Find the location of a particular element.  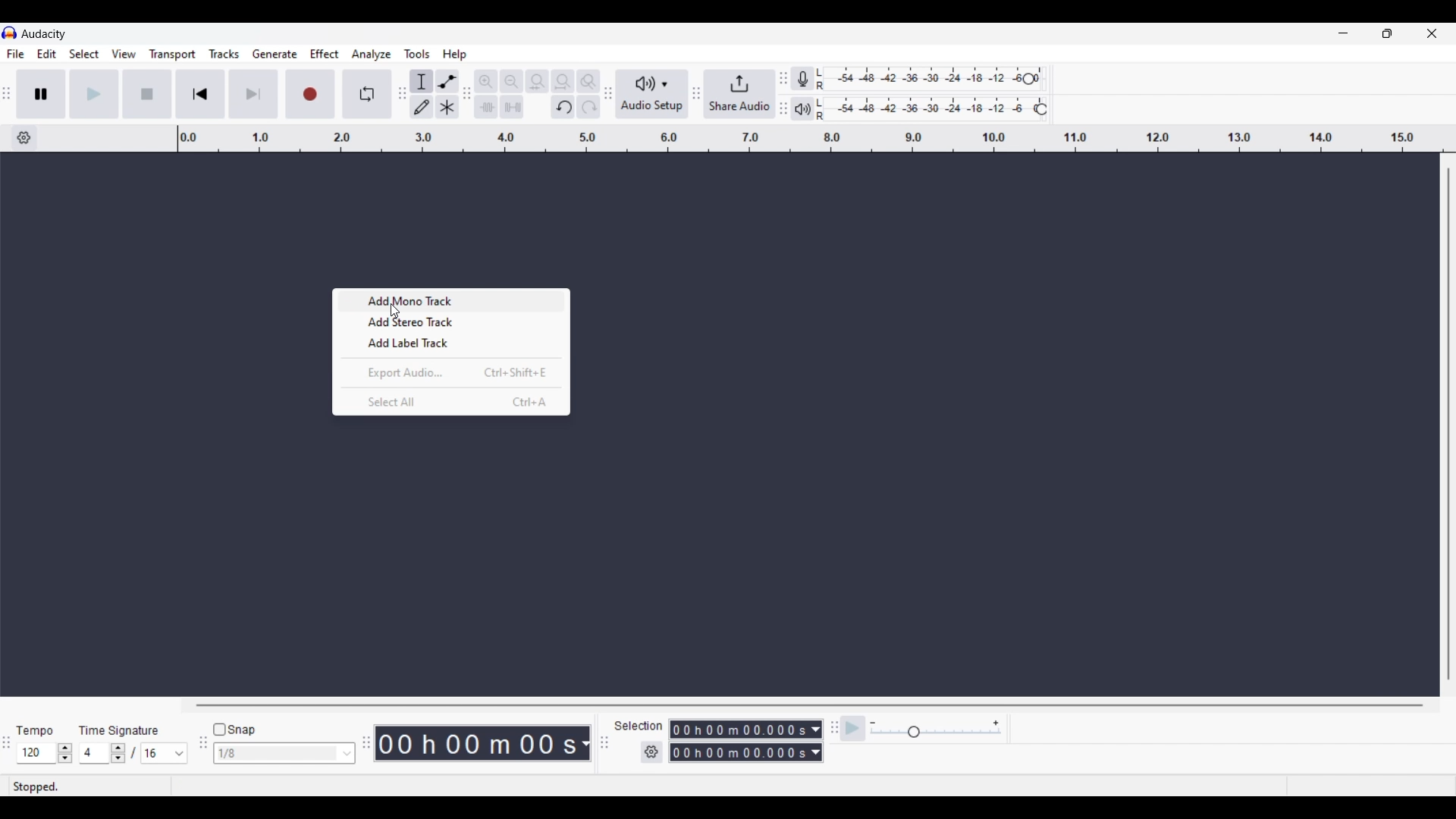

Selected tempo is located at coordinates (36, 753).